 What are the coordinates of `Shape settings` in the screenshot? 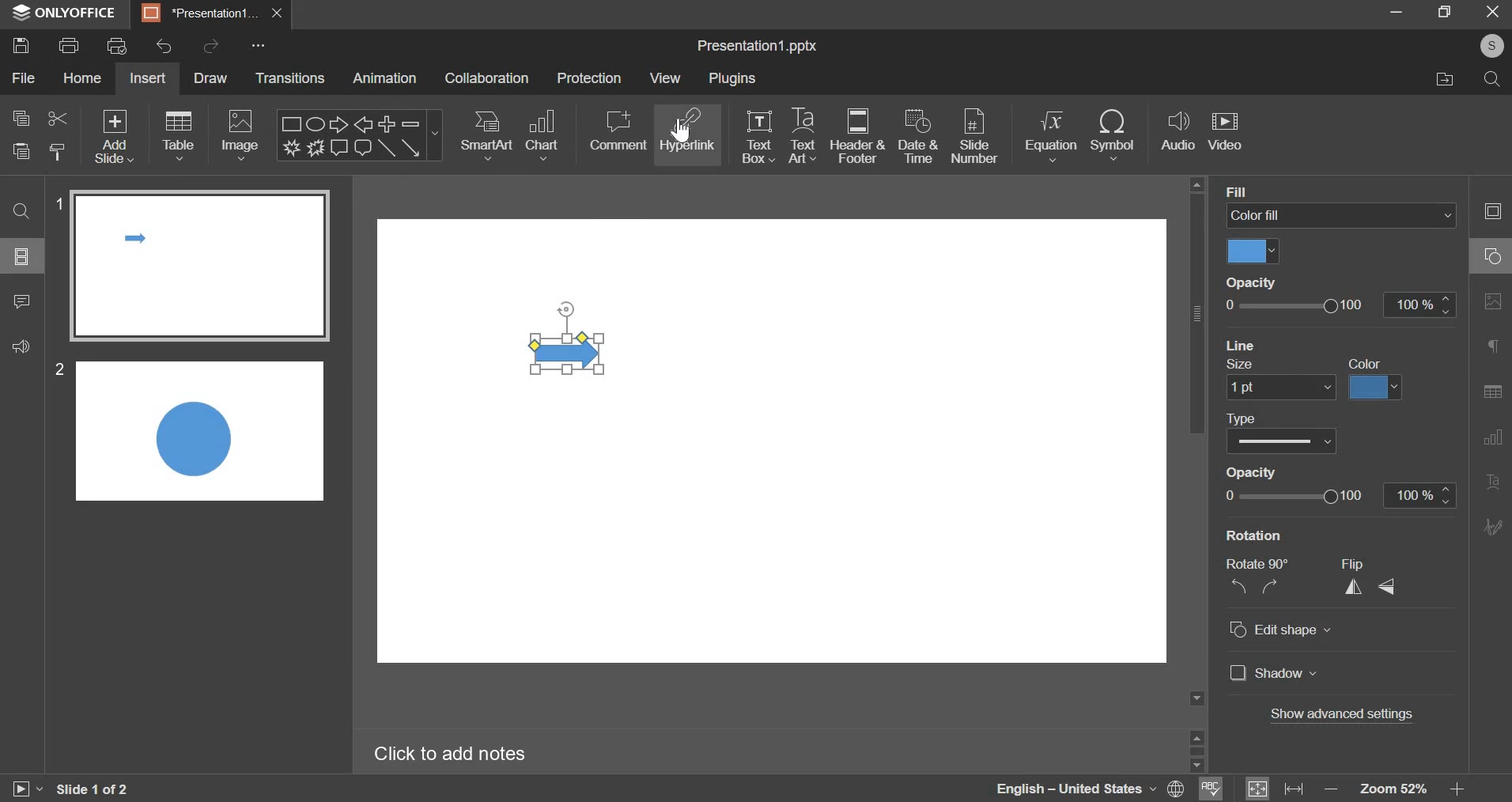 It's located at (1491, 255).